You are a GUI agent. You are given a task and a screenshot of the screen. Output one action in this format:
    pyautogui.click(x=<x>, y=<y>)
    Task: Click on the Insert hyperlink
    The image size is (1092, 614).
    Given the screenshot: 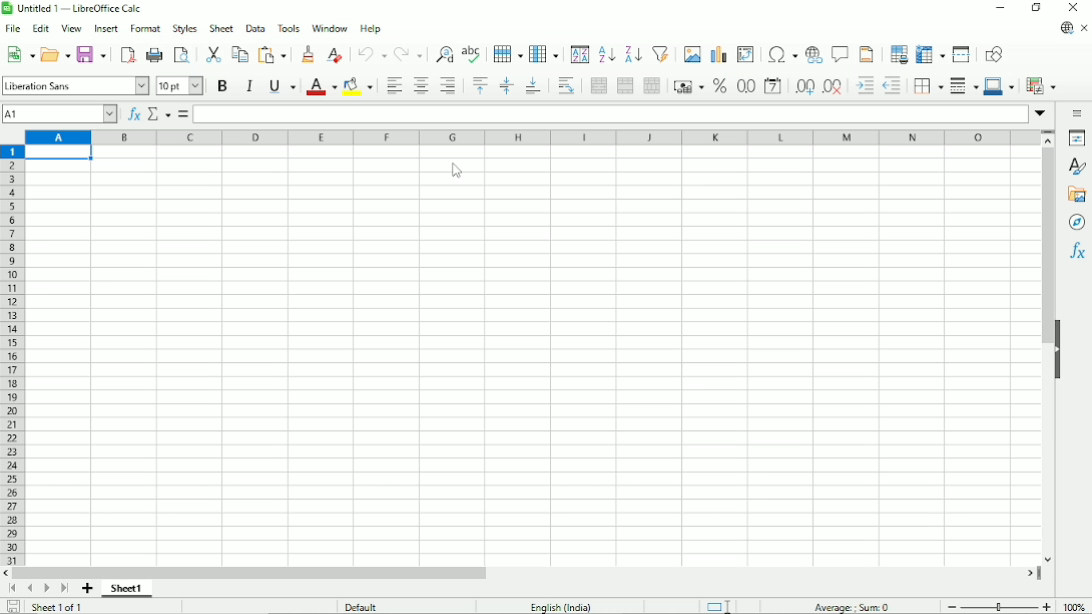 What is the action you would take?
    pyautogui.click(x=814, y=53)
    